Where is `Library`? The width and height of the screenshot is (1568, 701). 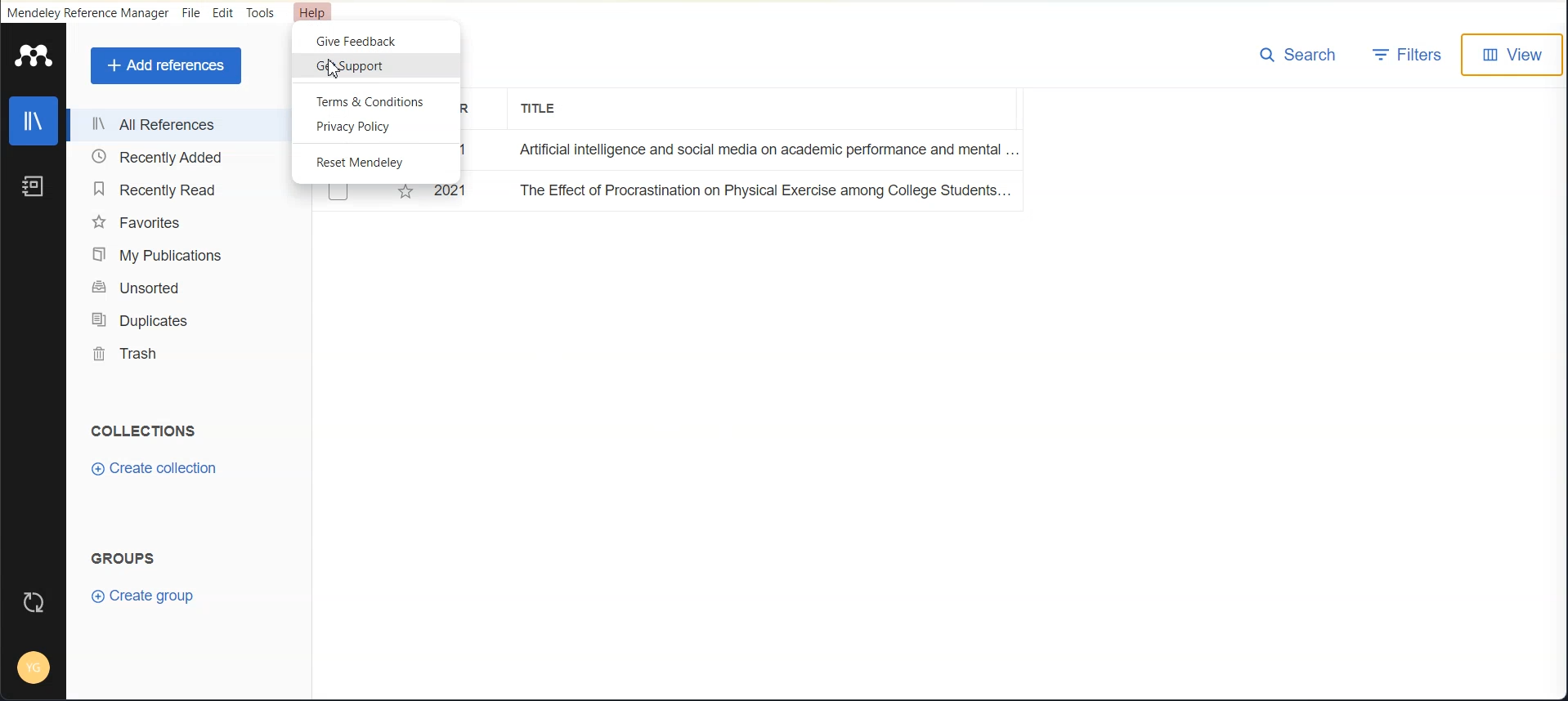
Library is located at coordinates (34, 121).